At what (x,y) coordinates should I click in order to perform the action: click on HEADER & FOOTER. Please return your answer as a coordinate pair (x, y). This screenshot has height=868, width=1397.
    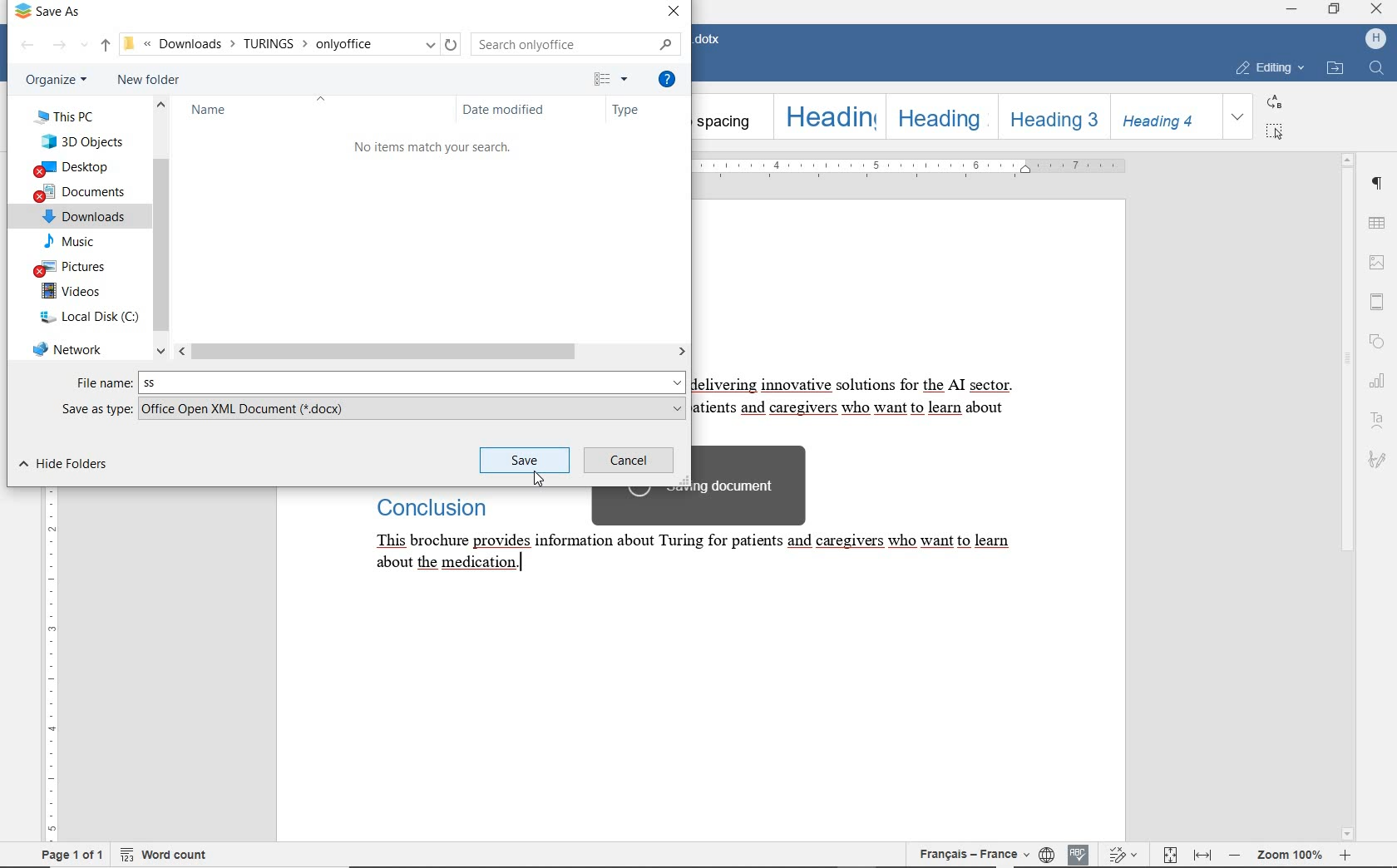
    Looking at the image, I should click on (1378, 303).